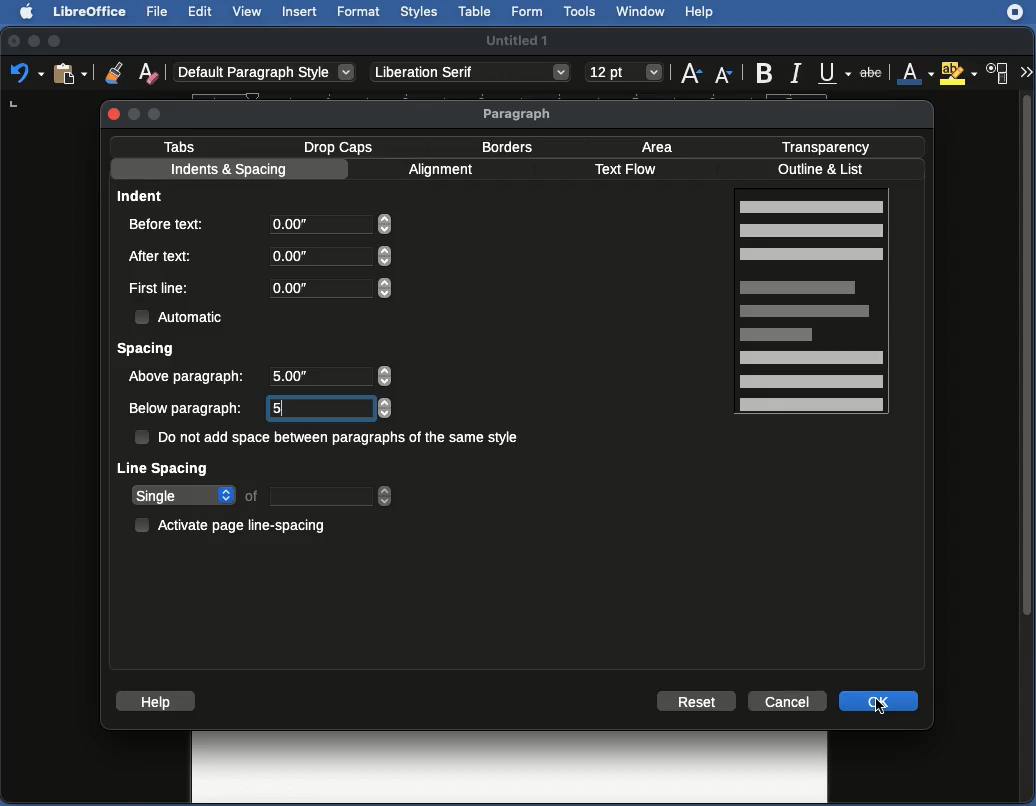 This screenshot has width=1036, height=806. Describe the element at coordinates (342, 146) in the screenshot. I see `Drop caps` at that location.